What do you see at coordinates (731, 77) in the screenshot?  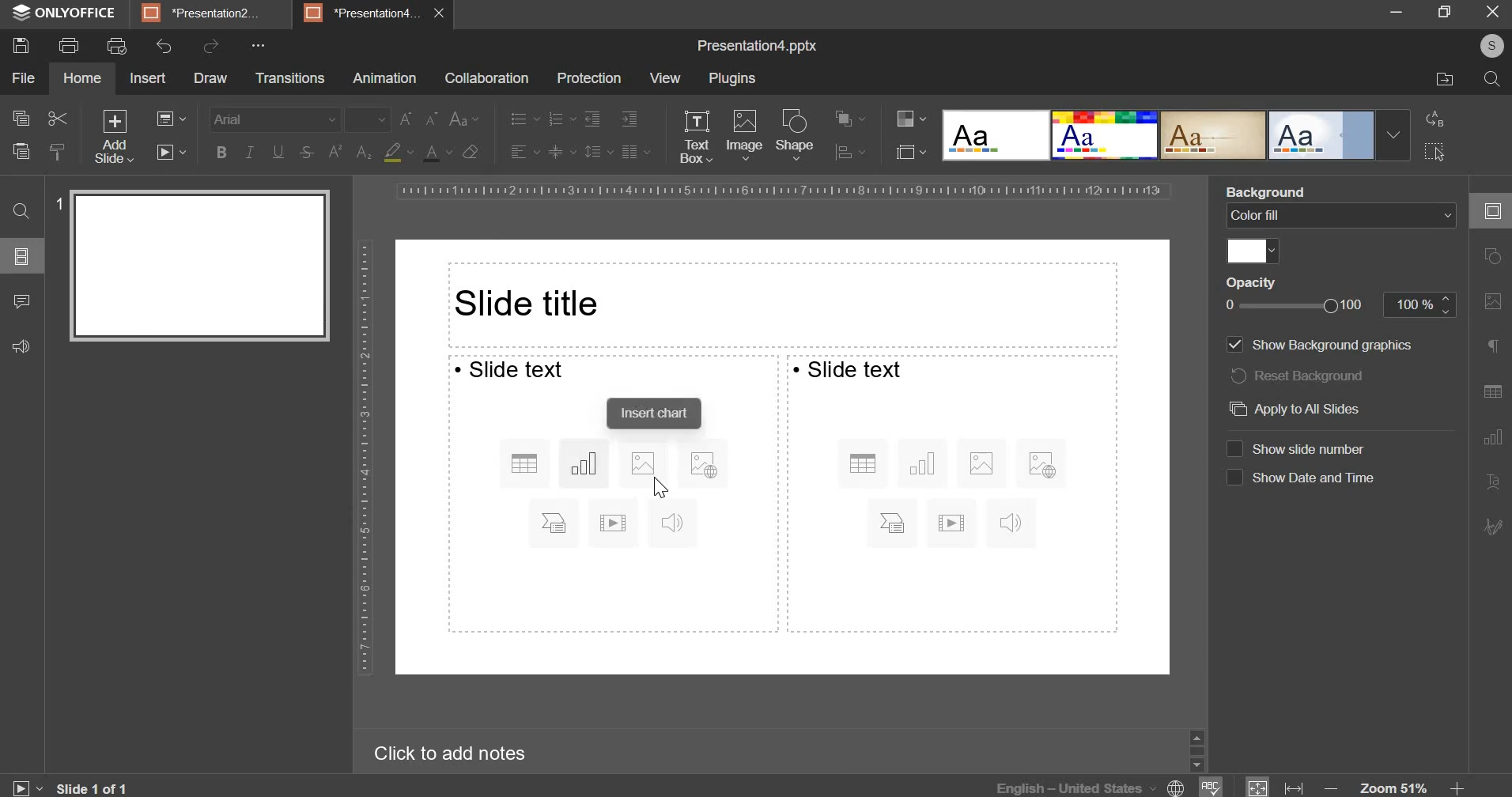 I see `plugins` at bounding box center [731, 77].